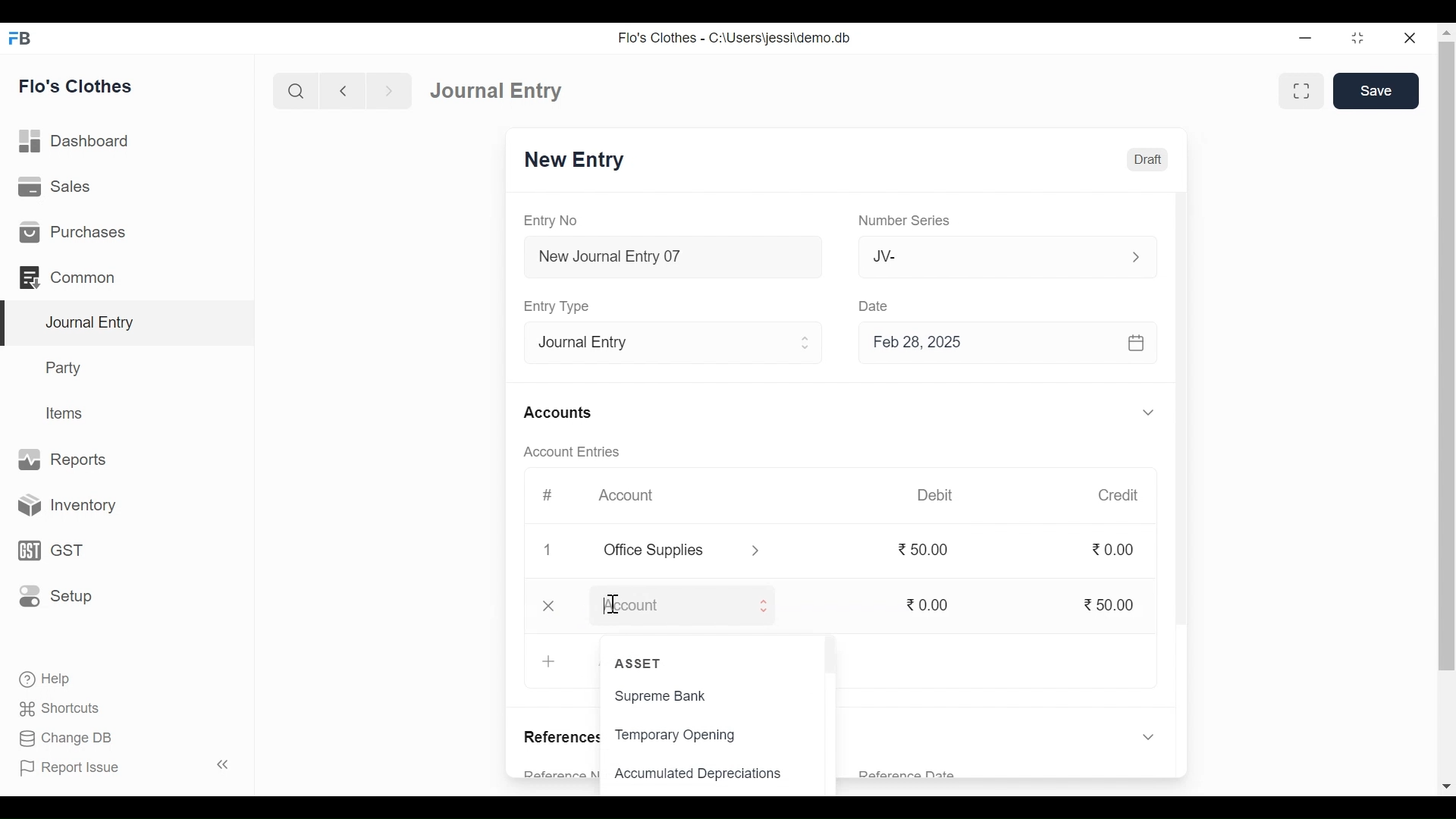 This screenshot has height=819, width=1456. Describe the element at coordinates (66, 367) in the screenshot. I see `Party` at that location.